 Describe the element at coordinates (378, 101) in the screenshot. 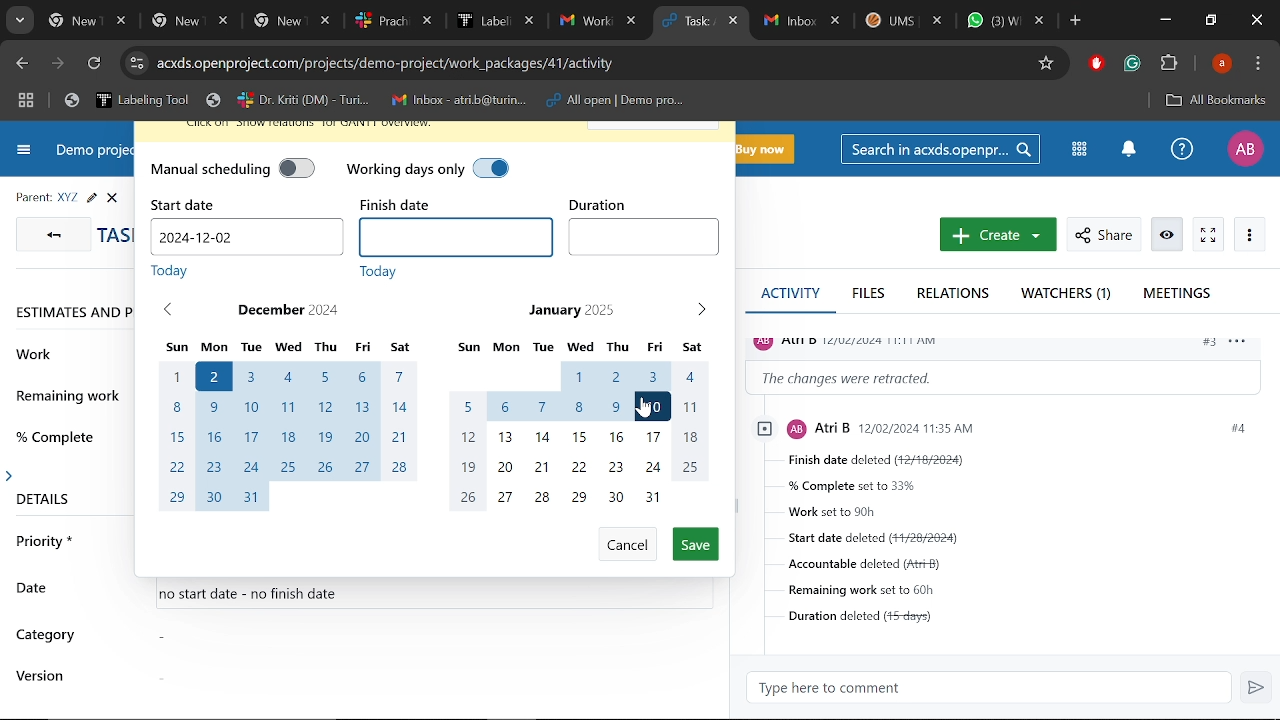

I see `Bookmarked tabs` at that location.